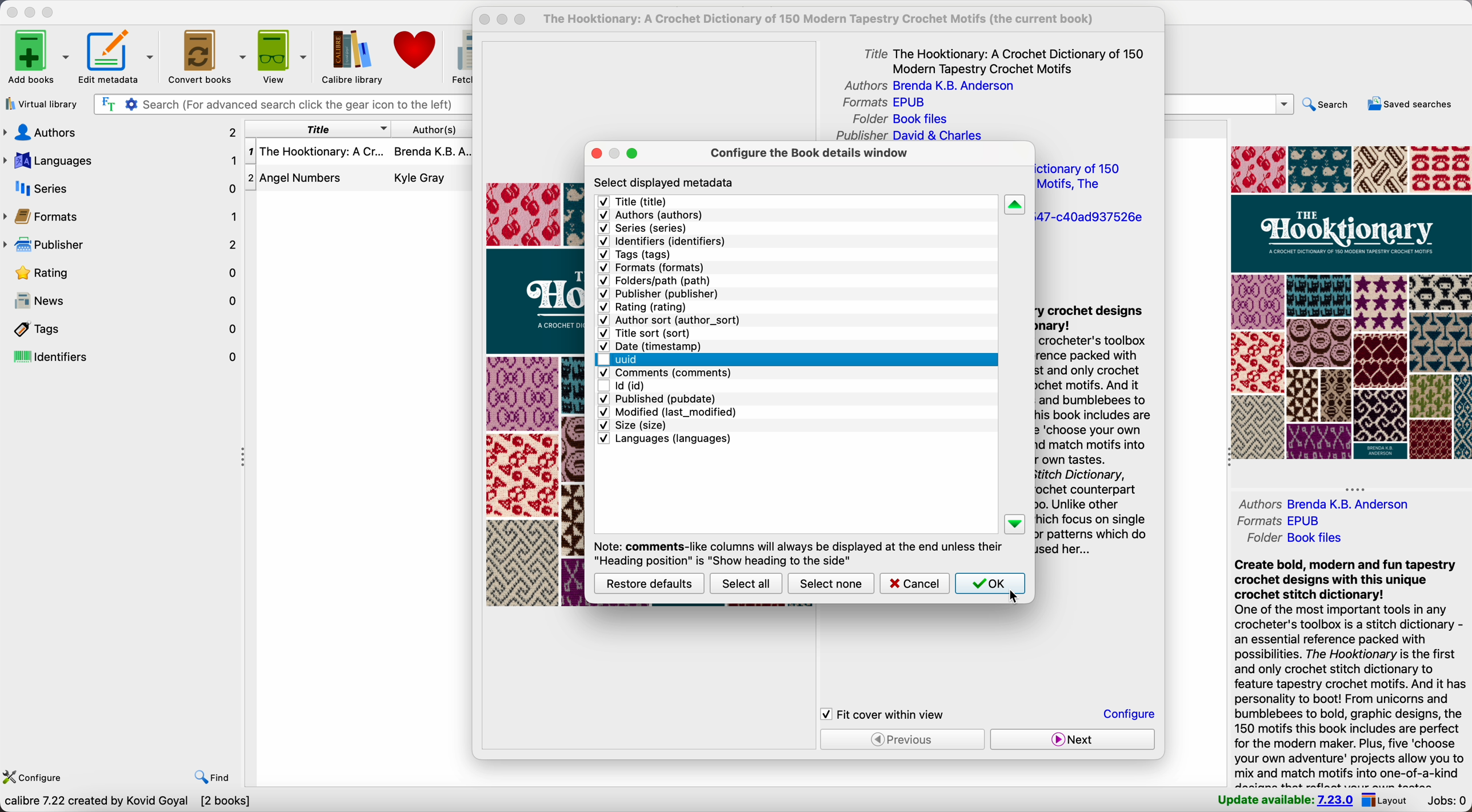  I want to click on book cover preview, so click(1350, 302).